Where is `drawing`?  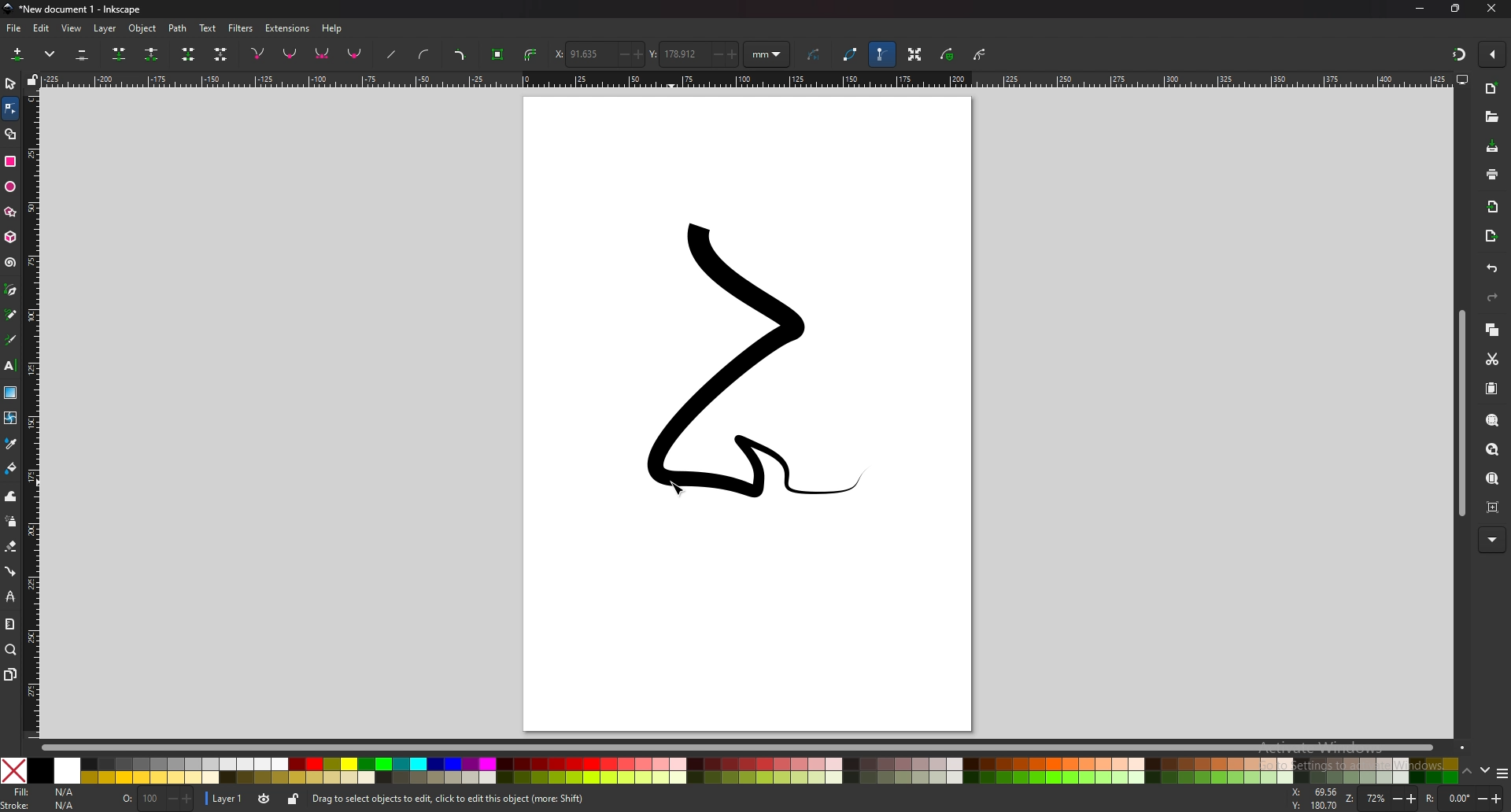
drawing is located at coordinates (739, 363).